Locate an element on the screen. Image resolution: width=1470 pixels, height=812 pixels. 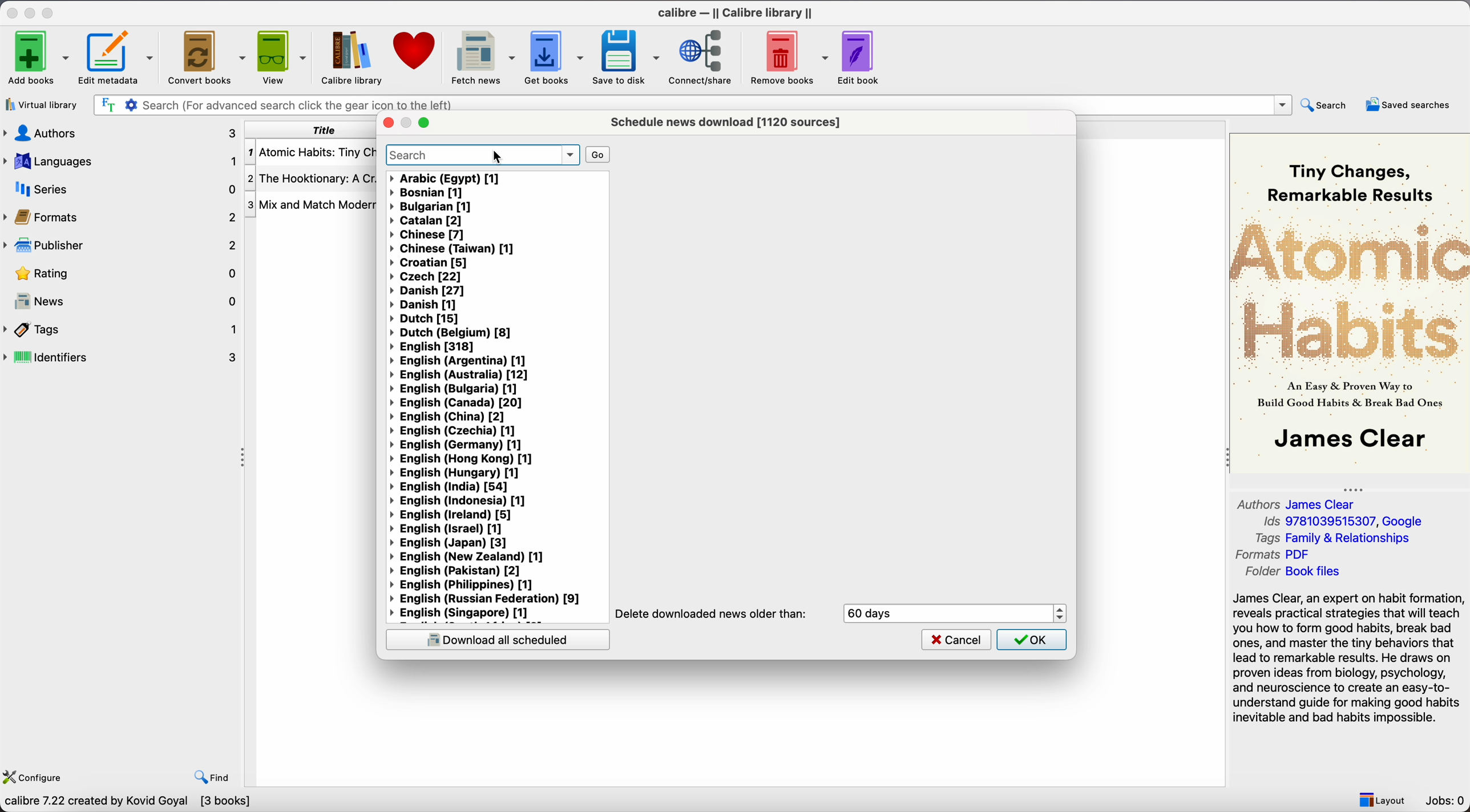
virtual library is located at coordinates (41, 104).